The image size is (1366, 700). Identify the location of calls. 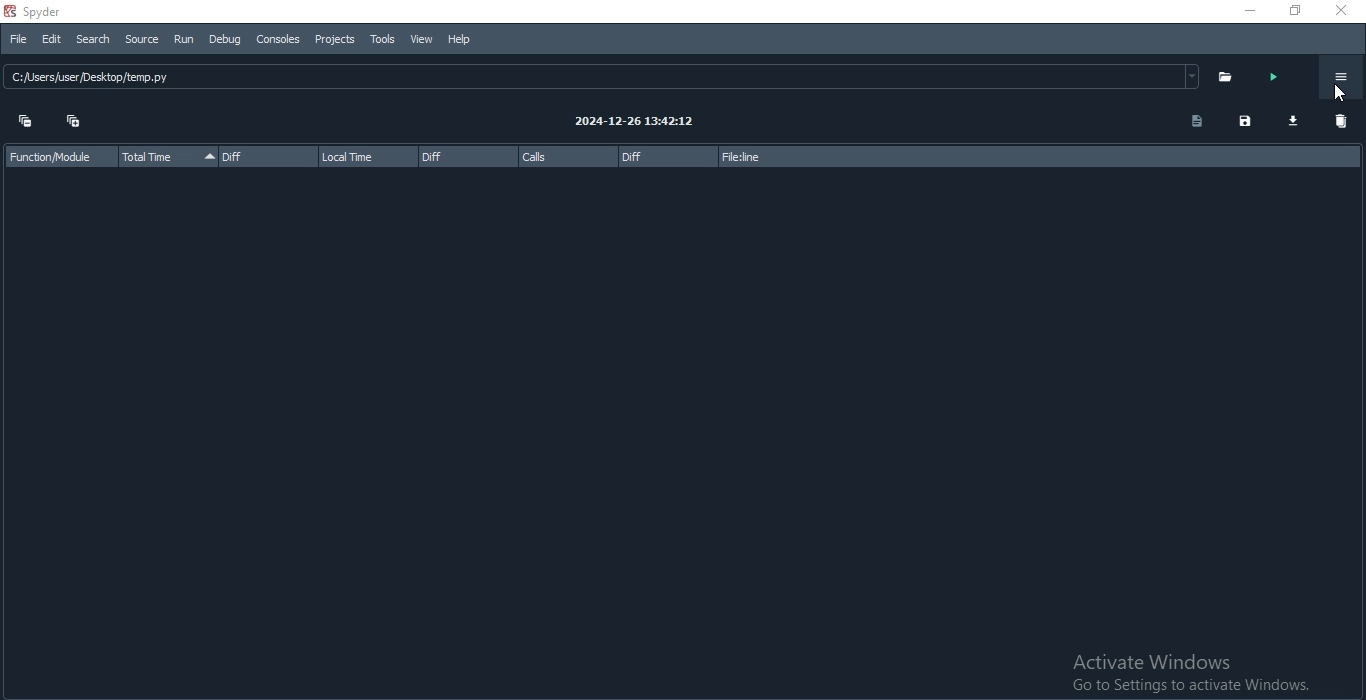
(567, 156).